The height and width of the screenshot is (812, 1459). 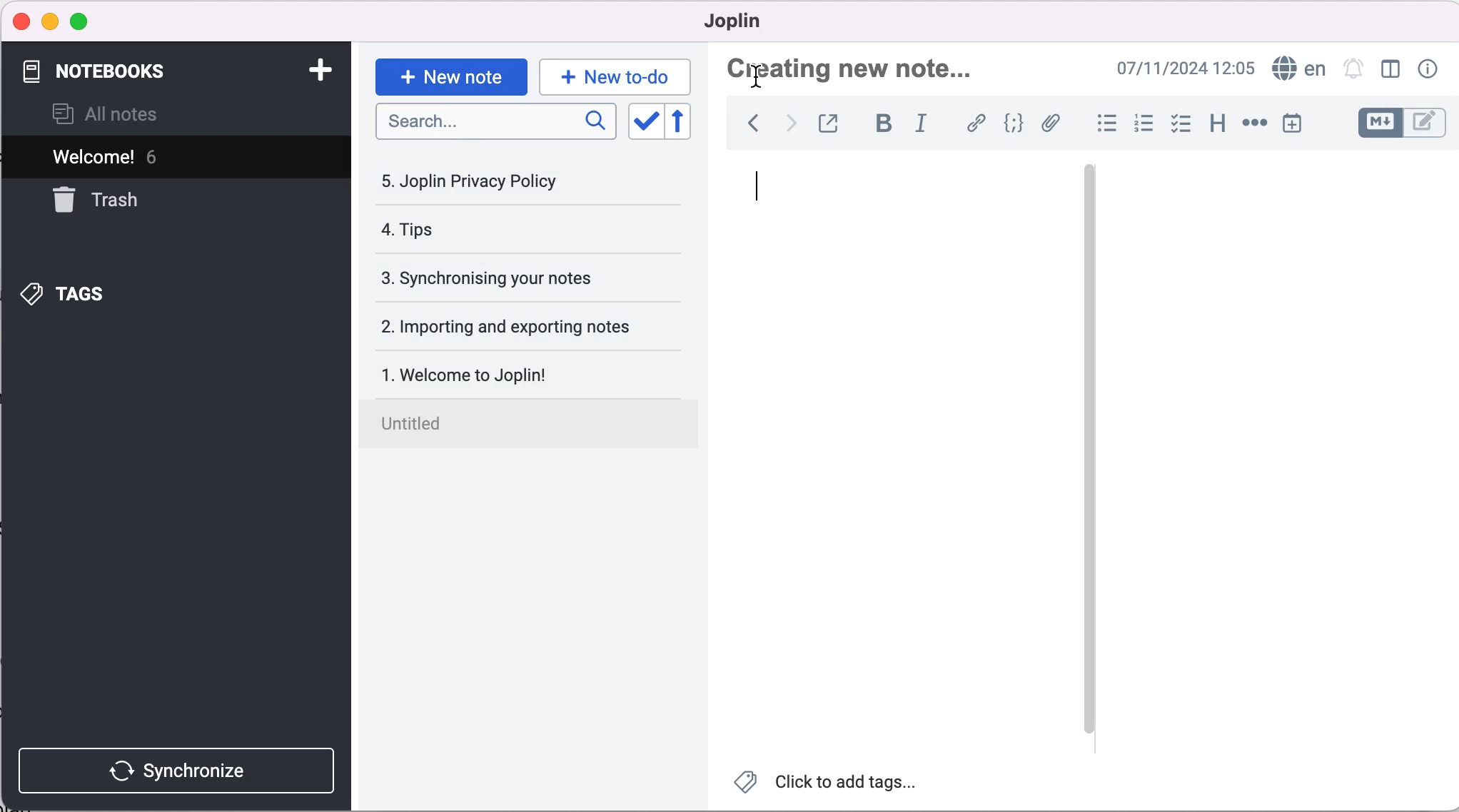 I want to click on note properties, so click(x=1429, y=71).